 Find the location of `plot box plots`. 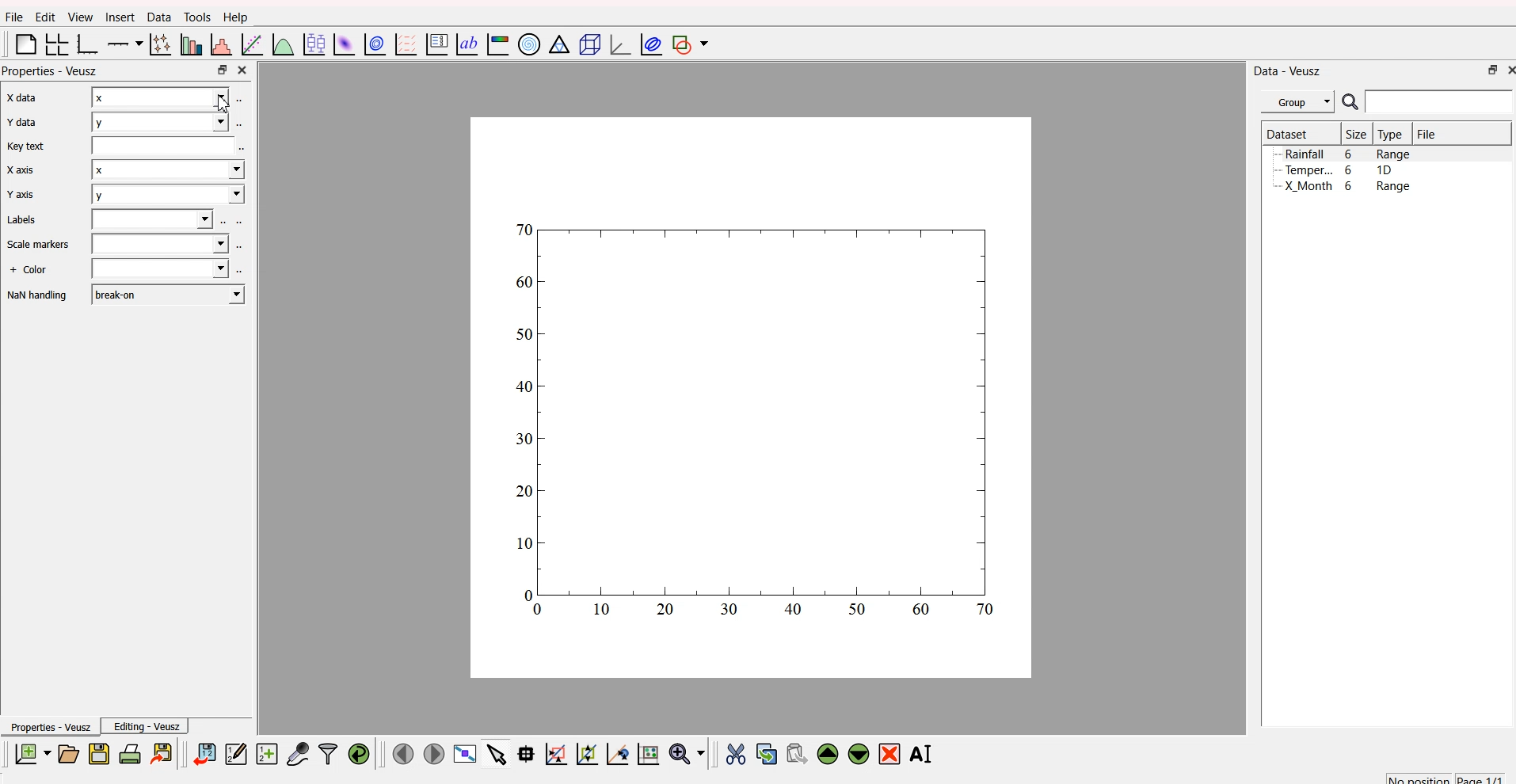

plot box plots is located at coordinates (314, 43).